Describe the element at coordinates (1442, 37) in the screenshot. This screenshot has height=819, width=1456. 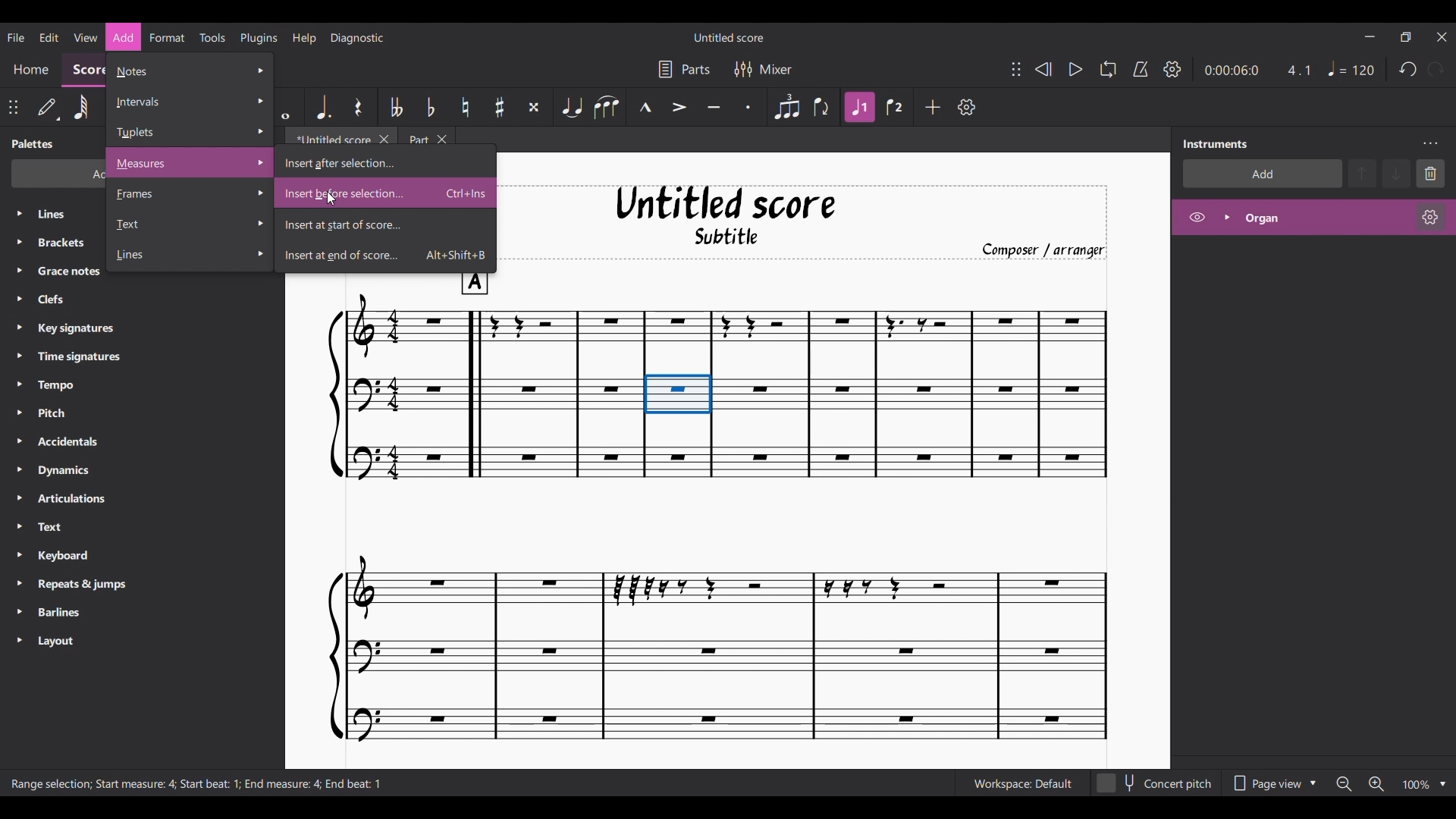
I see `Close interface` at that location.